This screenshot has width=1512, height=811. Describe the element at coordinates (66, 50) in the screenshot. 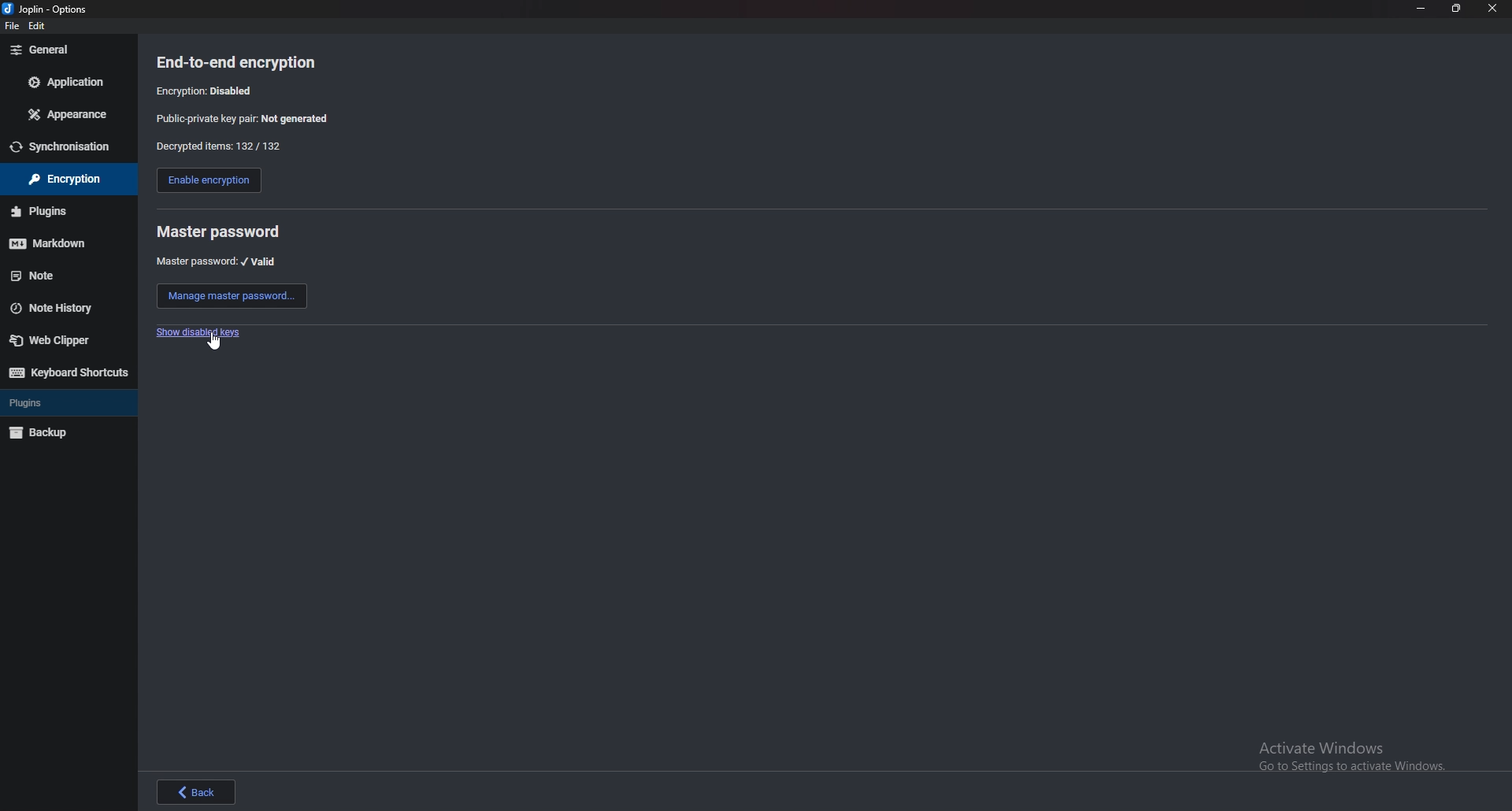

I see `general` at that location.